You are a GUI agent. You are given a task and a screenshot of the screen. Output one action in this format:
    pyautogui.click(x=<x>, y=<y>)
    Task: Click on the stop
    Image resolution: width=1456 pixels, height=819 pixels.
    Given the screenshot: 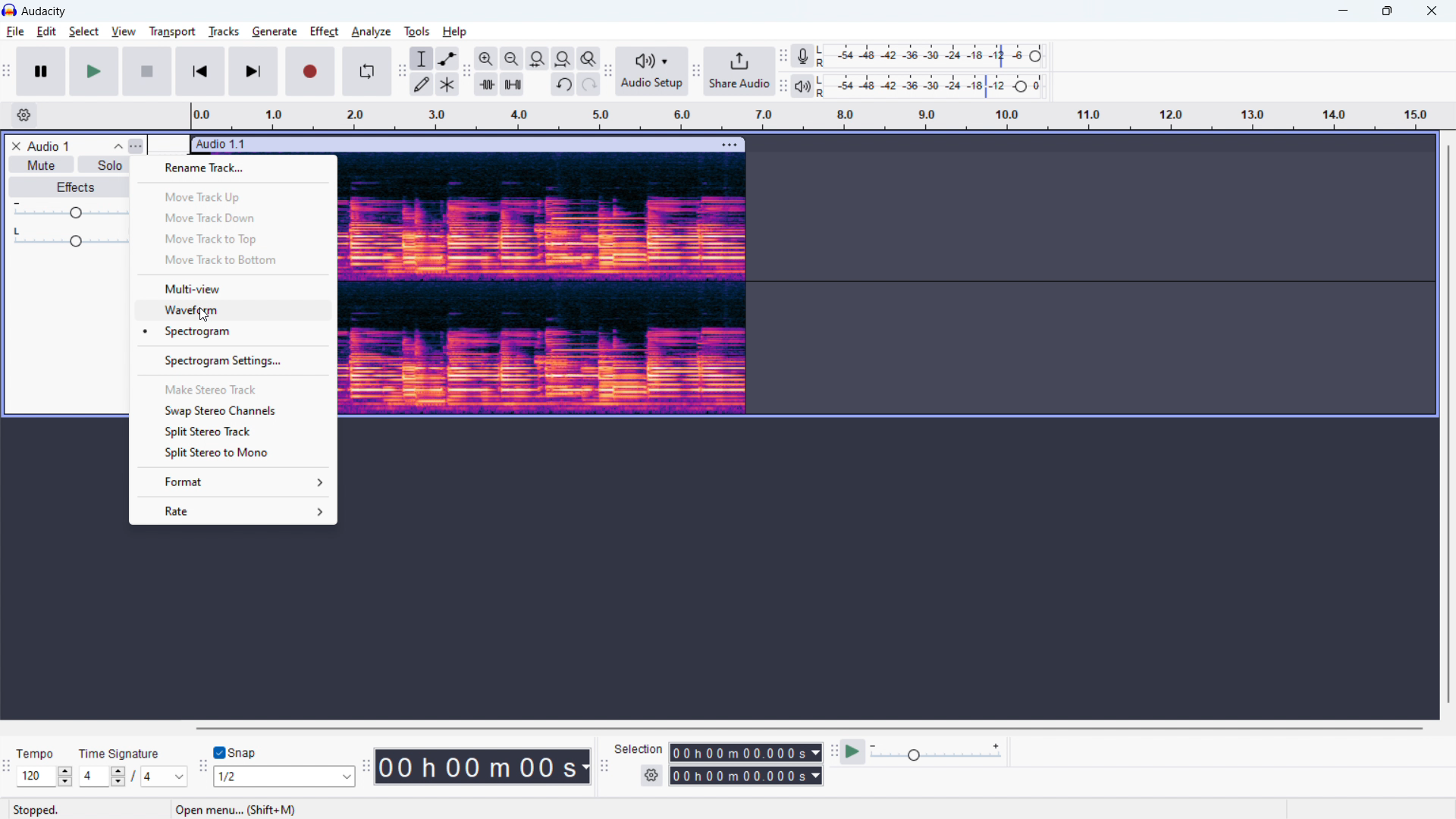 What is the action you would take?
    pyautogui.click(x=147, y=72)
    